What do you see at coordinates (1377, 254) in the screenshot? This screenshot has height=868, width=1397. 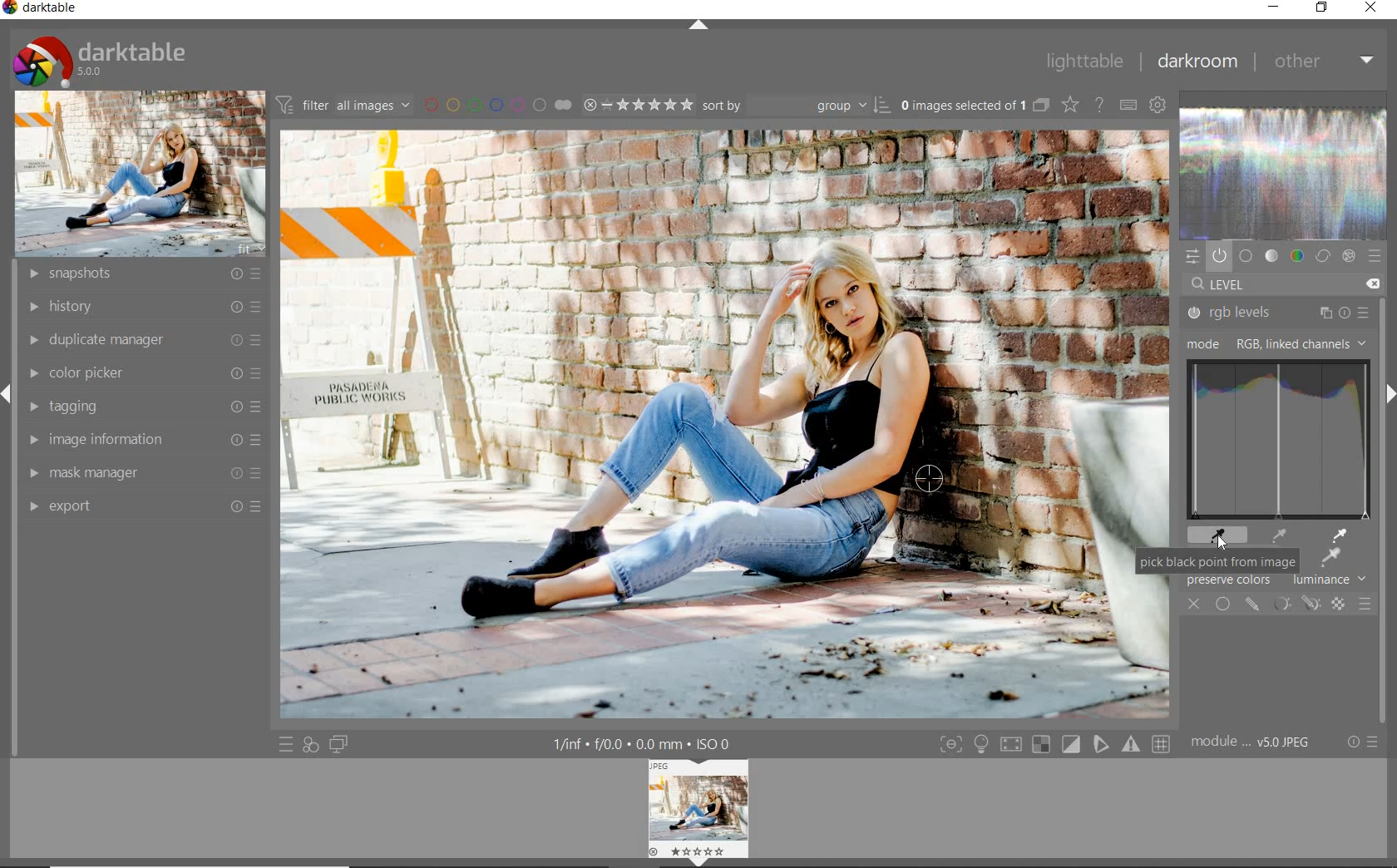 I see `presets` at bounding box center [1377, 254].